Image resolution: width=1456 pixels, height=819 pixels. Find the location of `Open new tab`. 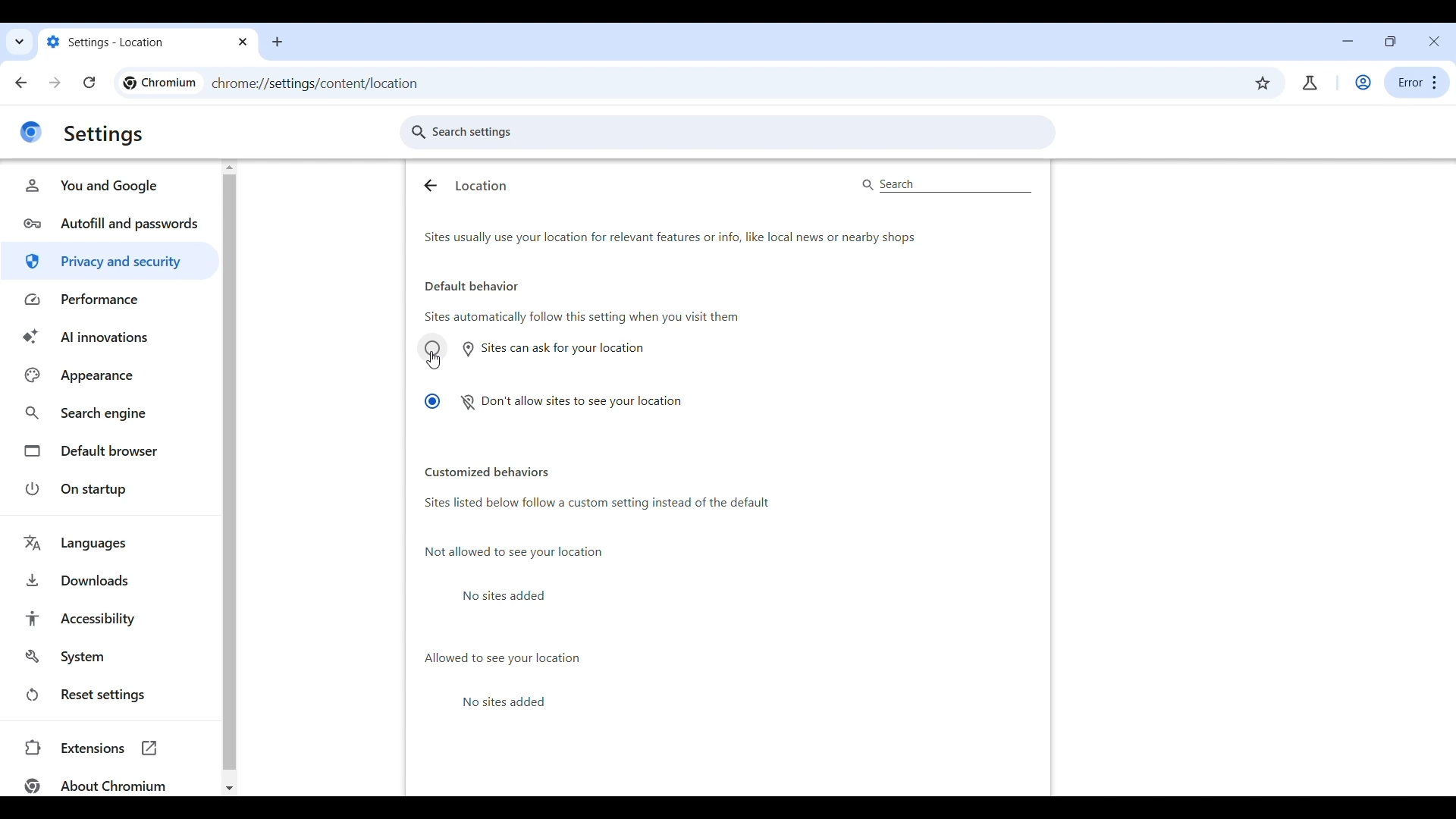

Open new tab is located at coordinates (278, 42).